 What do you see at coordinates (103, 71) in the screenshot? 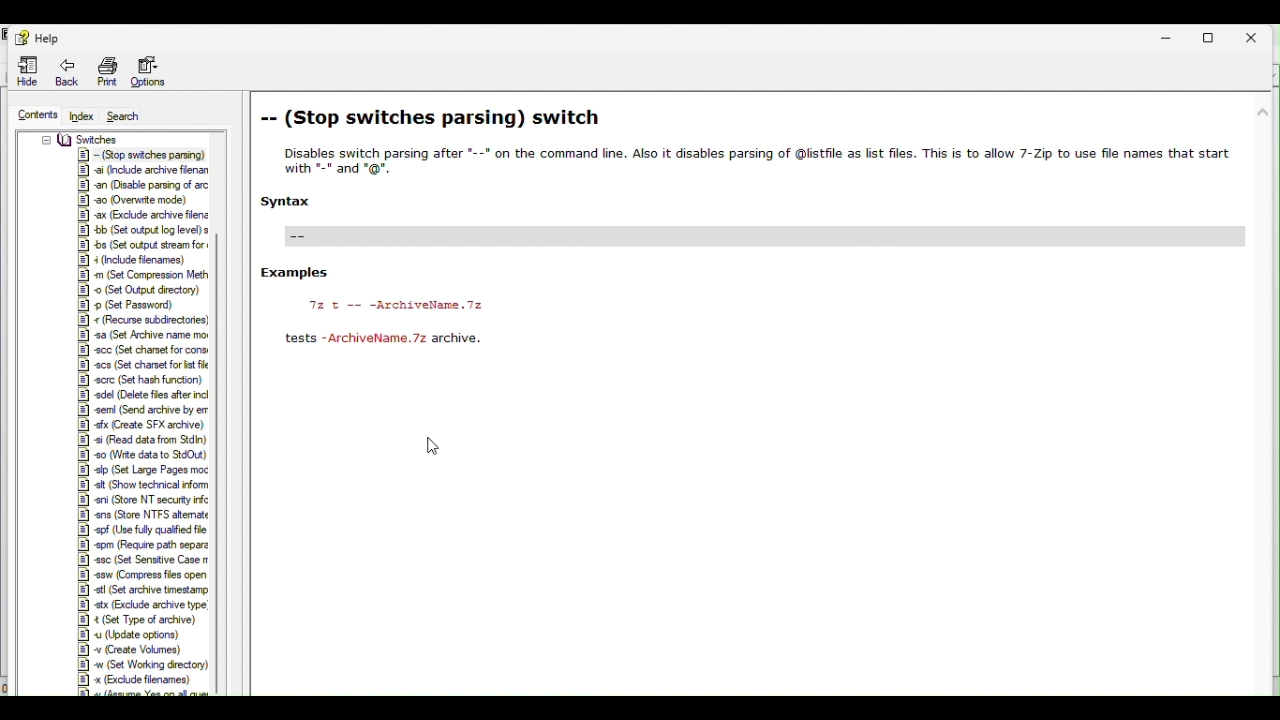
I see `Print` at bounding box center [103, 71].